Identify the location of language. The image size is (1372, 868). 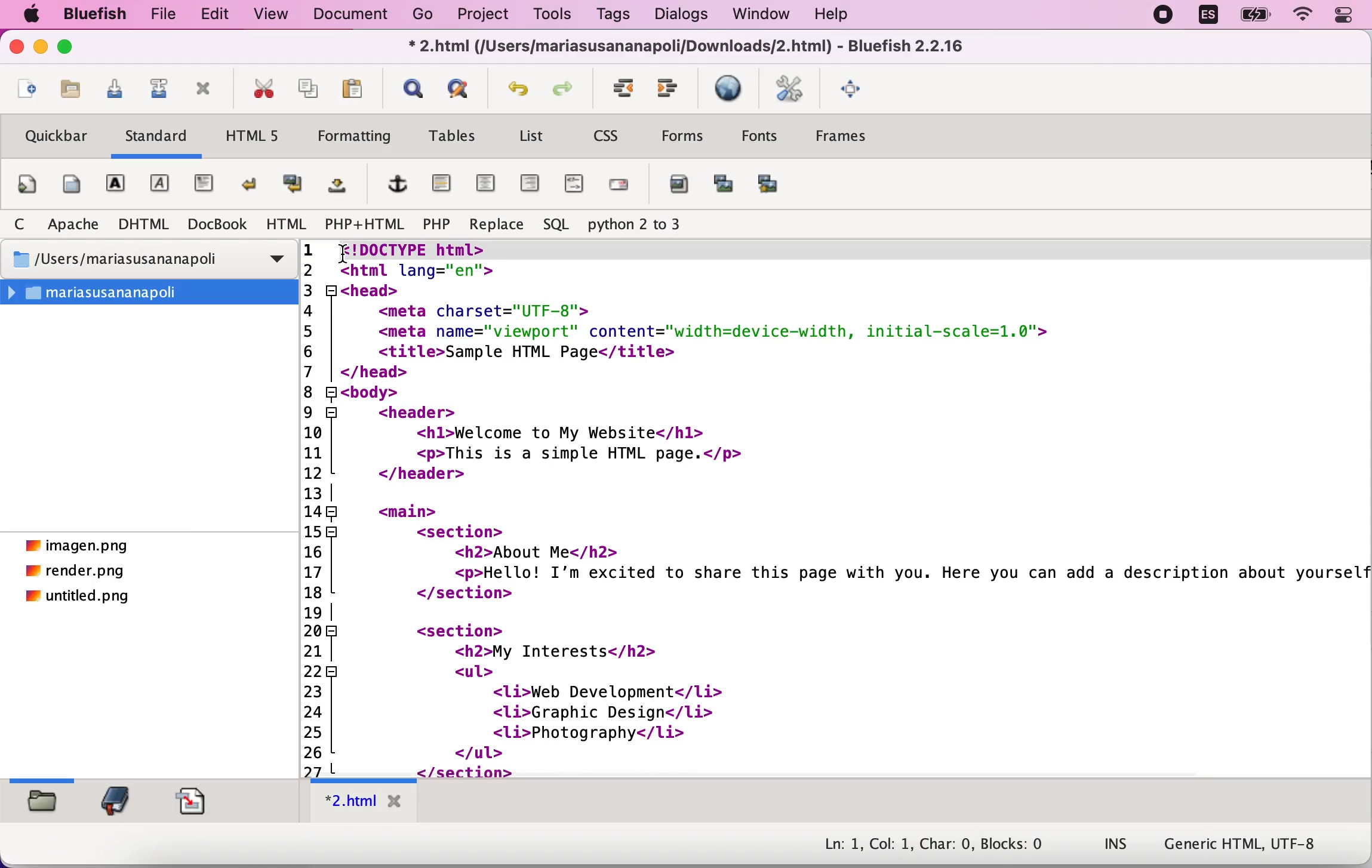
(1210, 18).